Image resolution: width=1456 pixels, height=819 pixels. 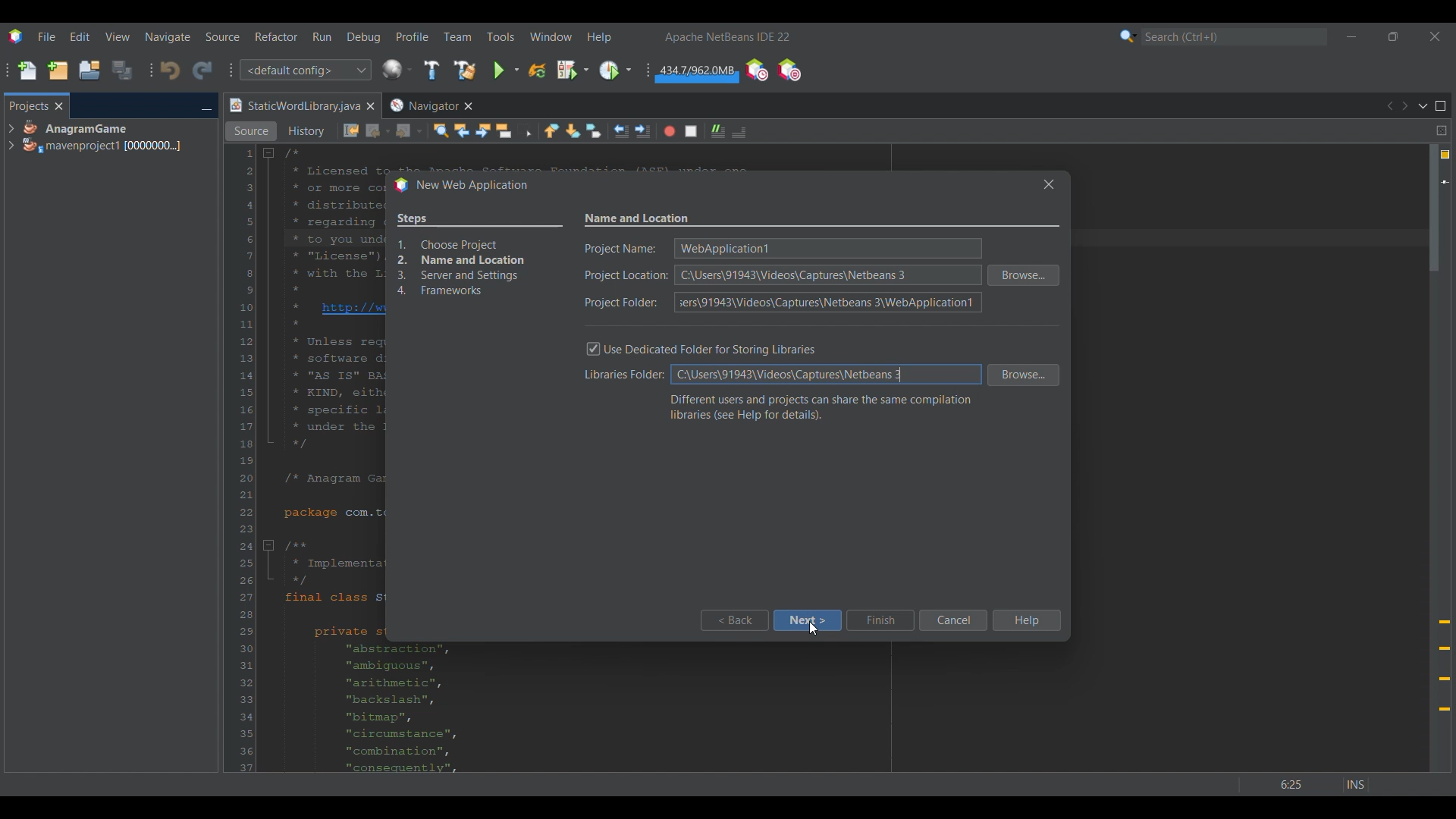 I want to click on Vertical slide bar, so click(x=1434, y=458).